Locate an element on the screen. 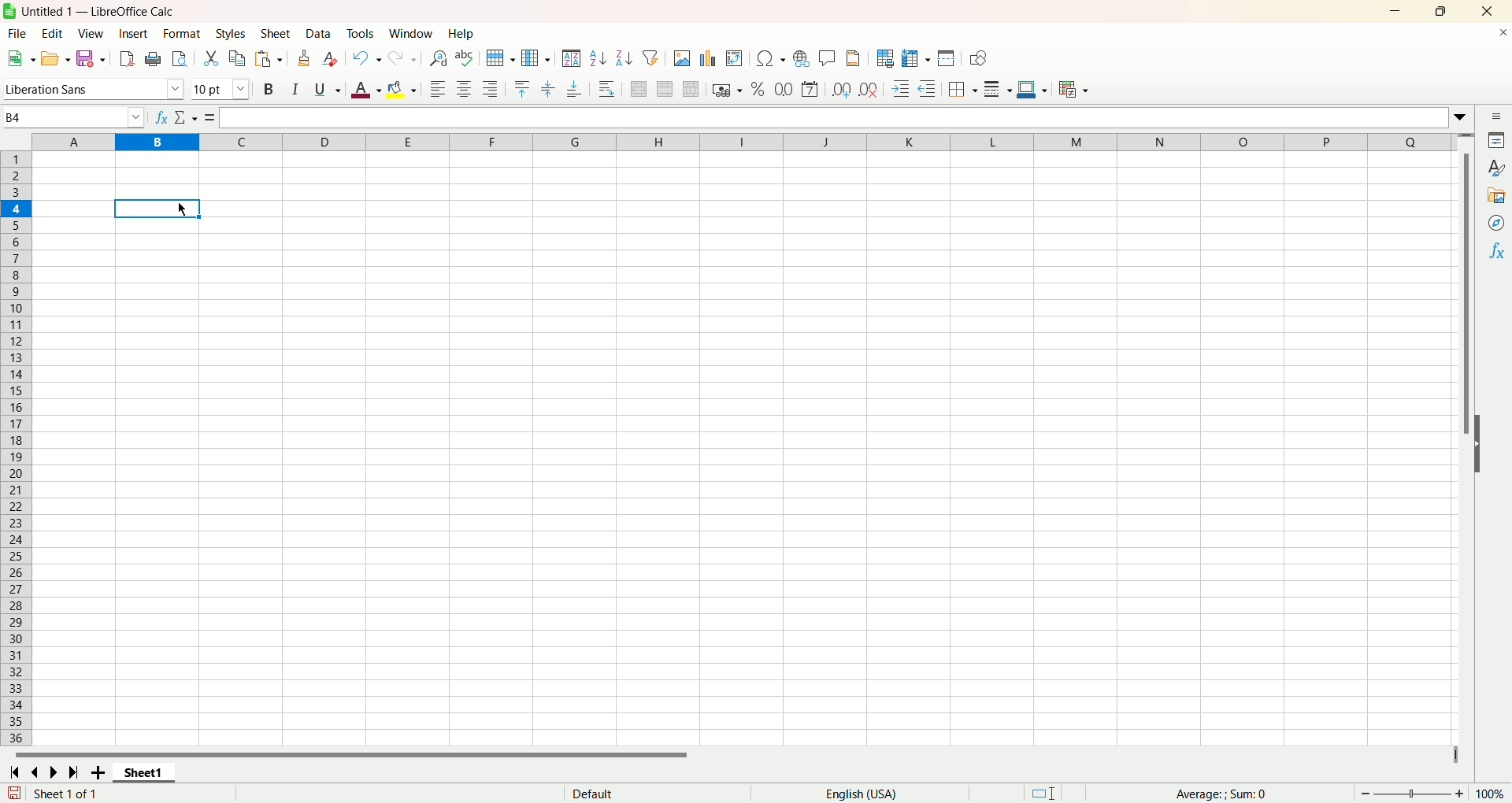  sheet is located at coordinates (276, 35).